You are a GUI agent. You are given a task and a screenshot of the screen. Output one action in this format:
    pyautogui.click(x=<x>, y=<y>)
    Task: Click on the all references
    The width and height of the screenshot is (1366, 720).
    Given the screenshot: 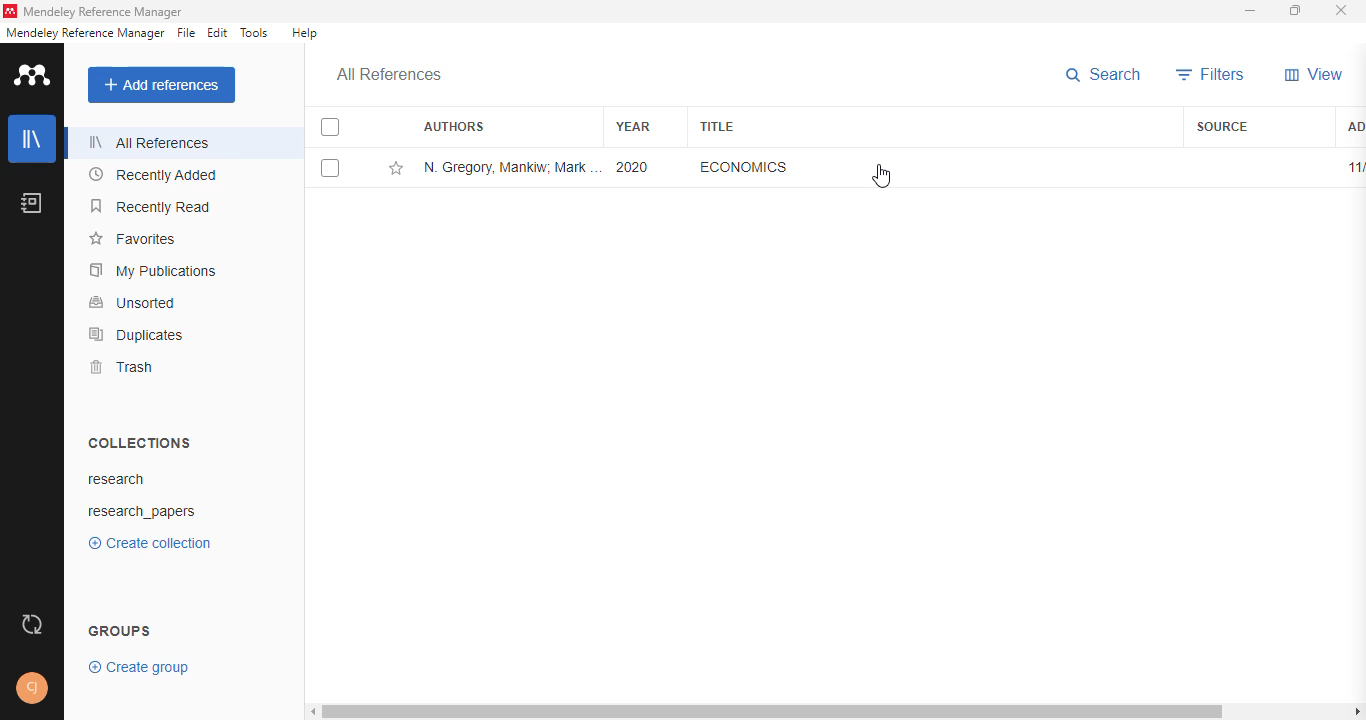 What is the action you would take?
    pyautogui.click(x=388, y=74)
    